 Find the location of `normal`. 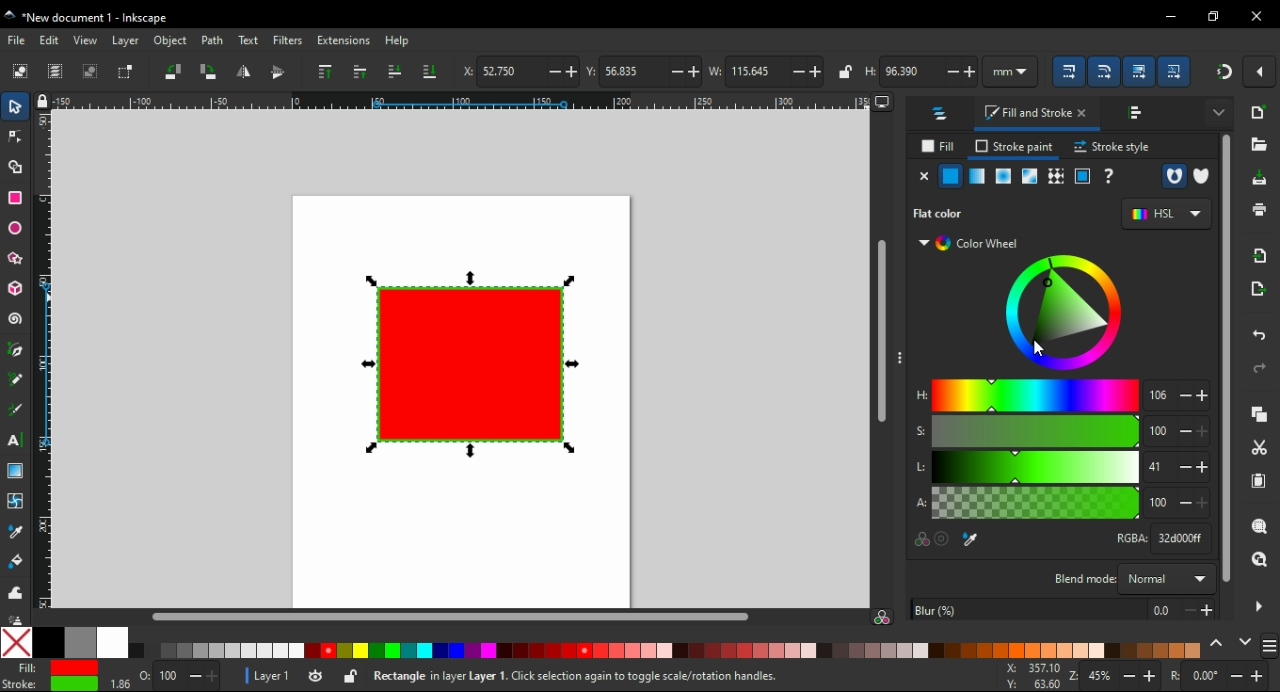

normal is located at coordinates (1167, 578).